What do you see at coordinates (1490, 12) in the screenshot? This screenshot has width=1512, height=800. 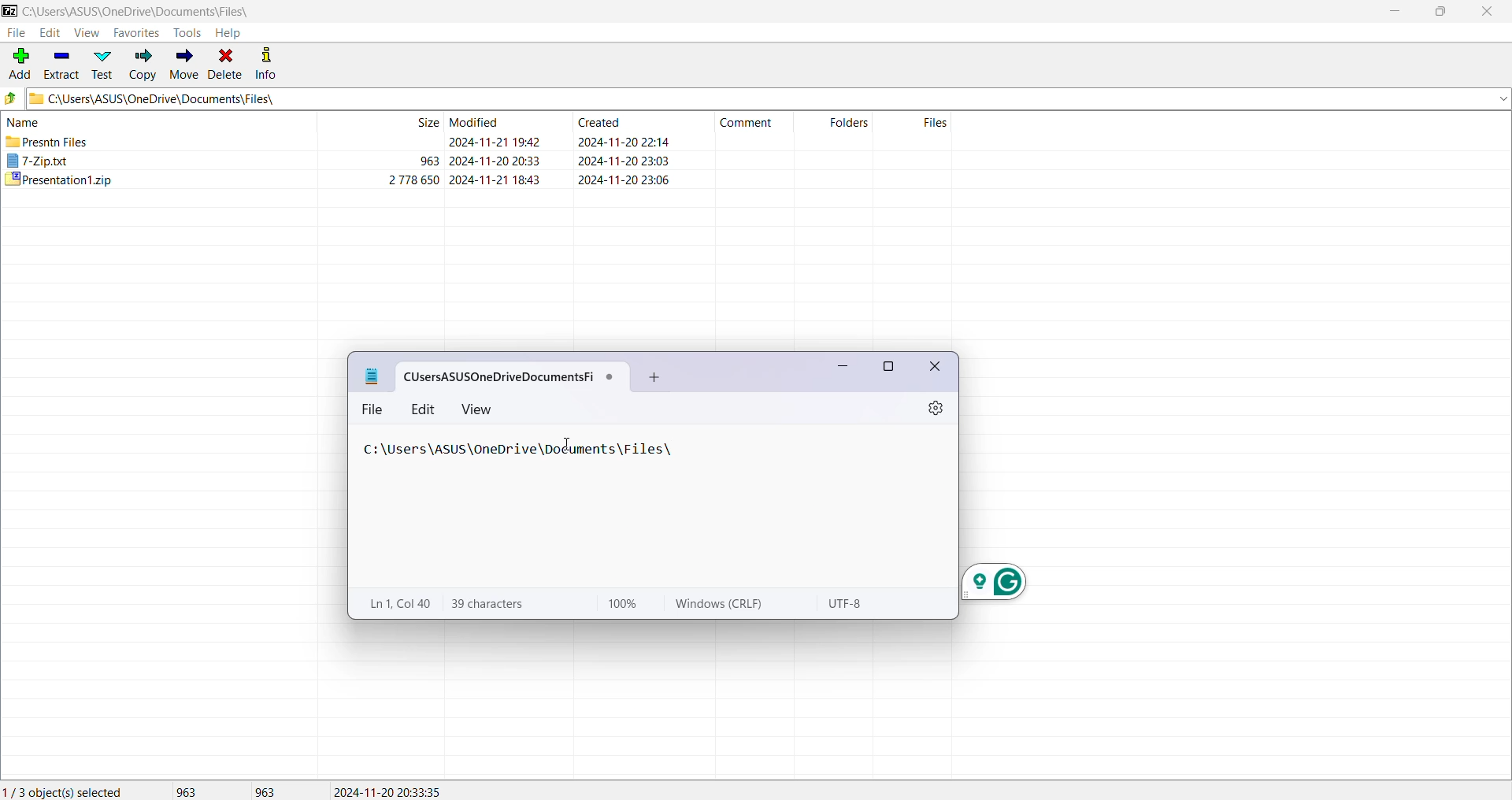 I see `Close` at bounding box center [1490, 12].